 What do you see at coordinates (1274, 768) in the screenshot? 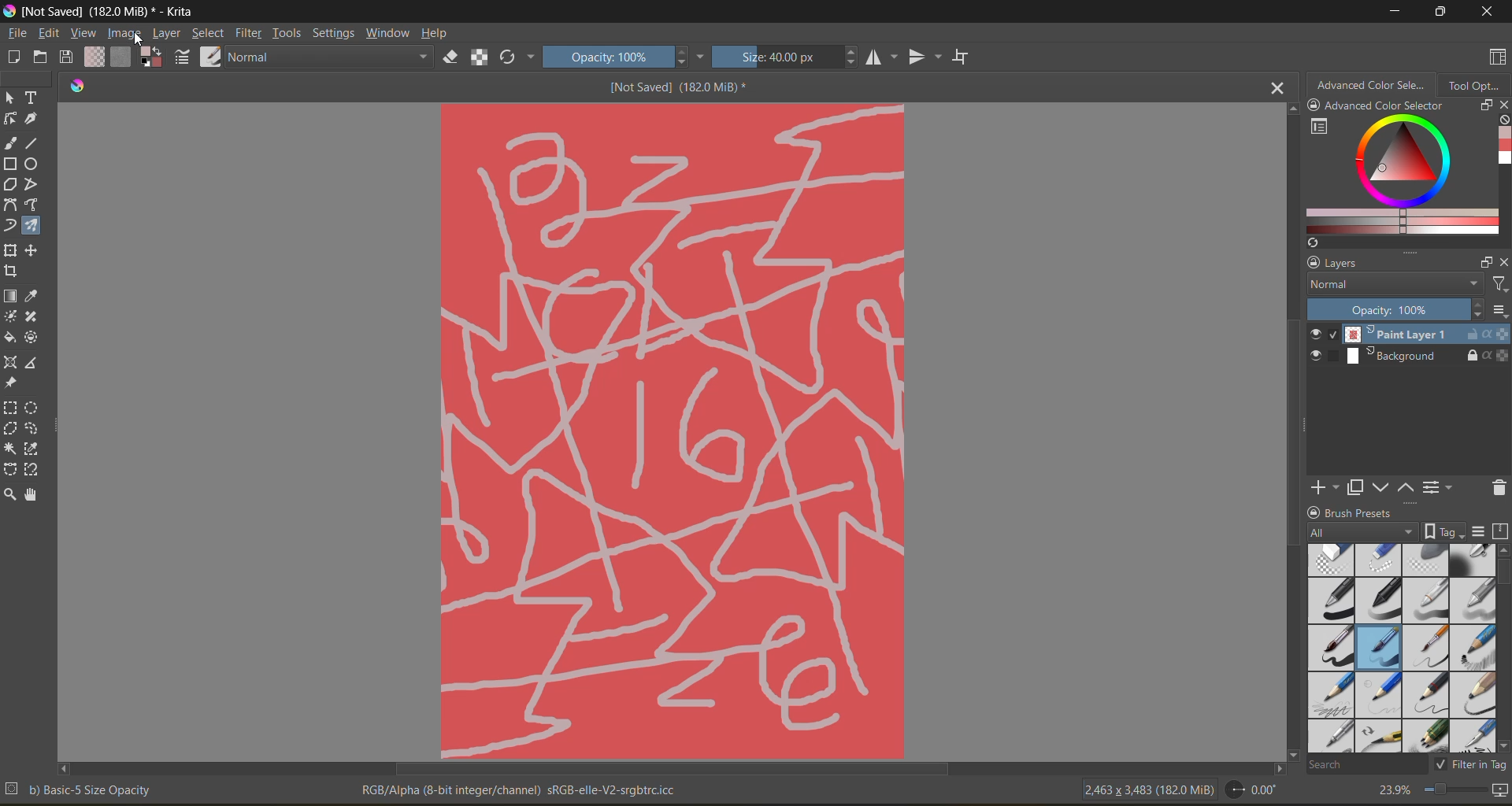
I see `Scroll right` at bounding box center [1274, 768].